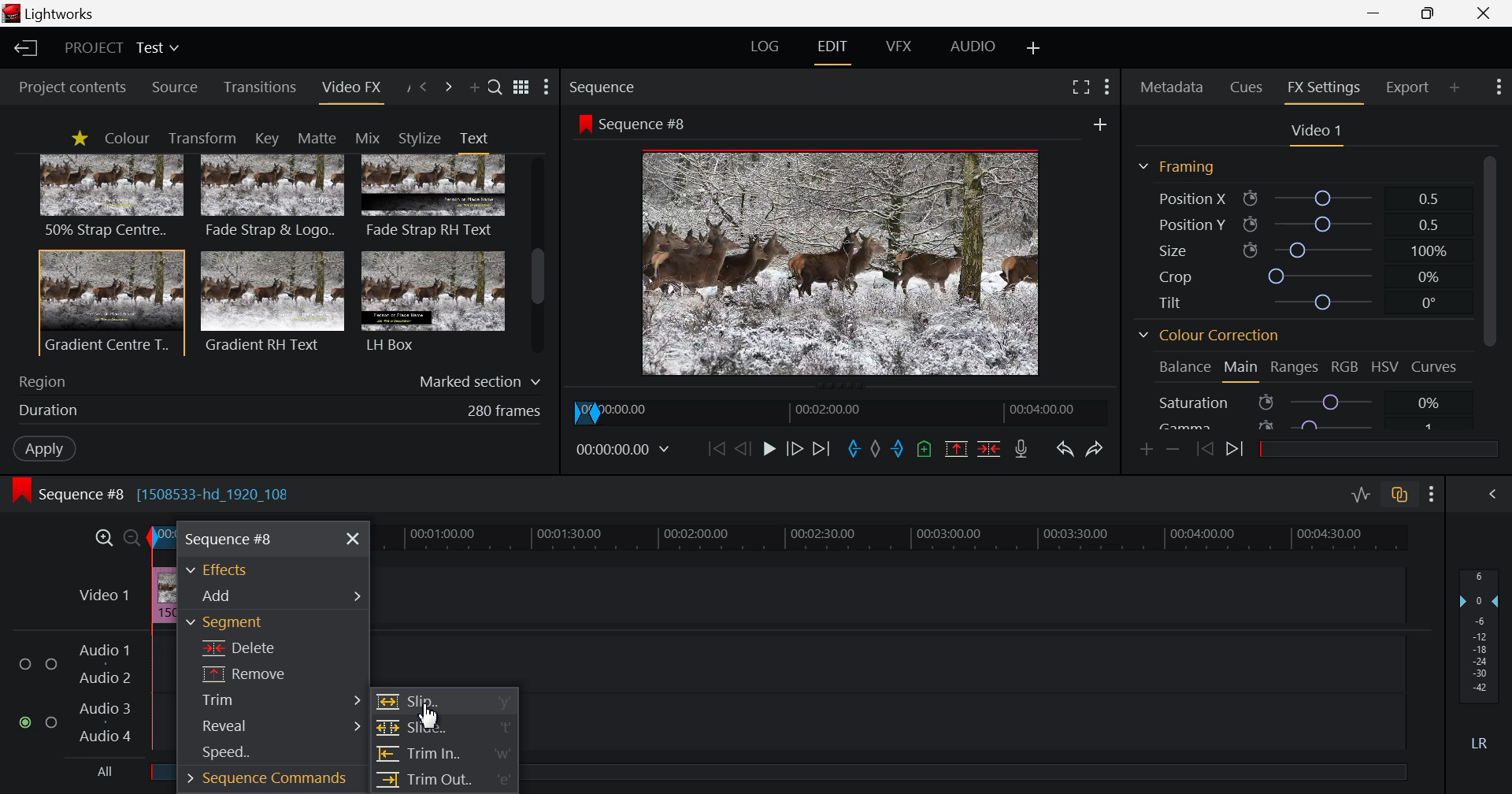  Describe the element at coordinates (1214, 338) in the screenshot. I see `Colour Correction` at that location.